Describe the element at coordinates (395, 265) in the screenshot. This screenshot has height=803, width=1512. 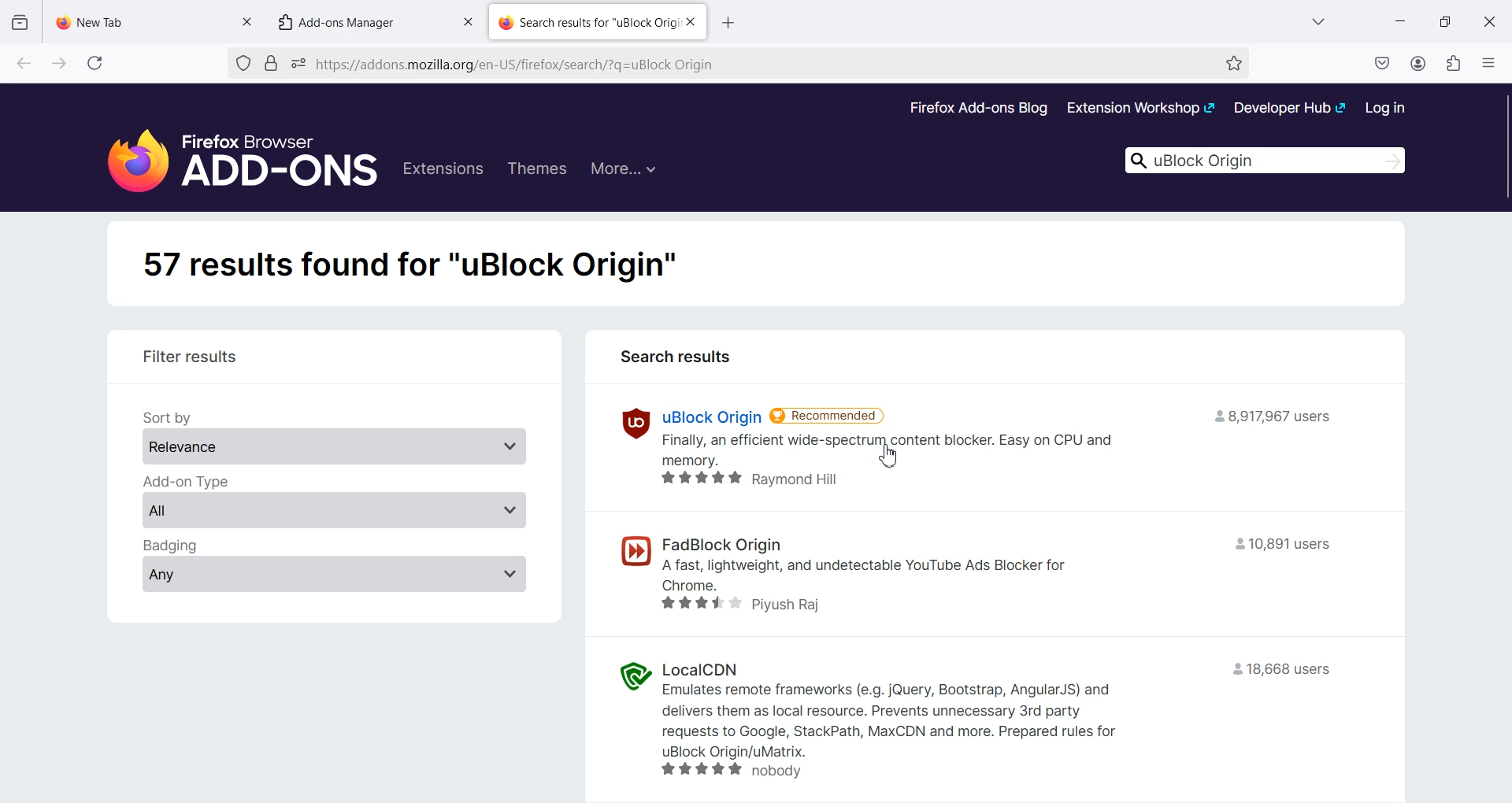
I see `57 results found for "uBlock Origin"` at that location.